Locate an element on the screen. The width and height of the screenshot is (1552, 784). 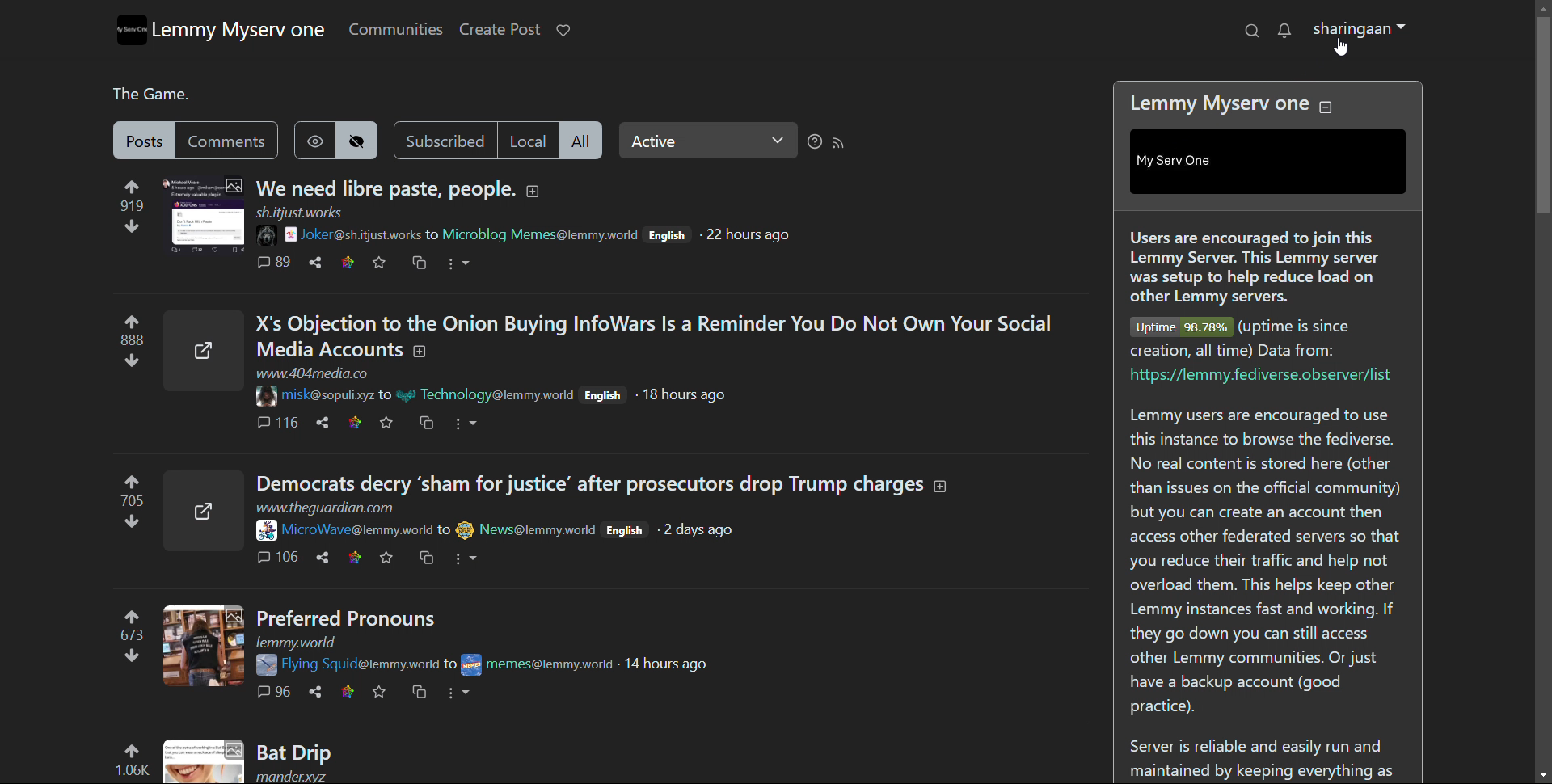
 downvotes is located at coordinates (130, 658).